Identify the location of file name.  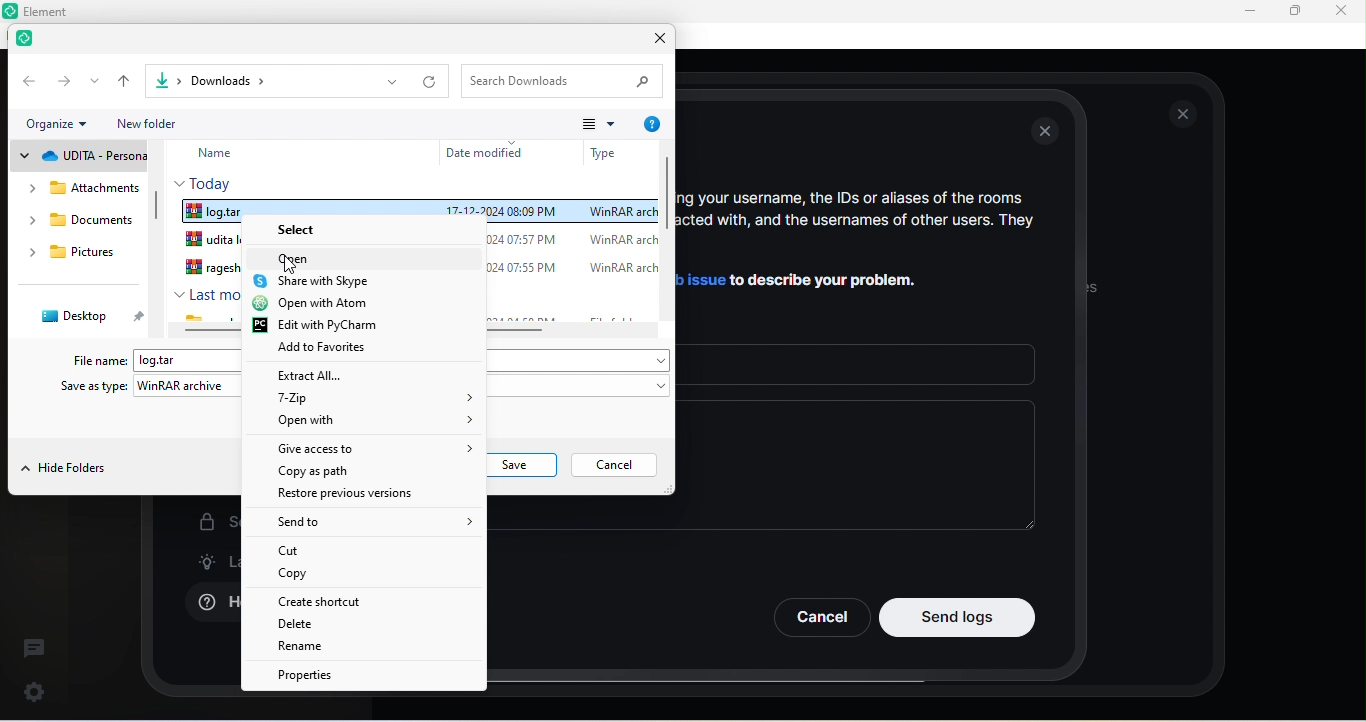
(102, 360).